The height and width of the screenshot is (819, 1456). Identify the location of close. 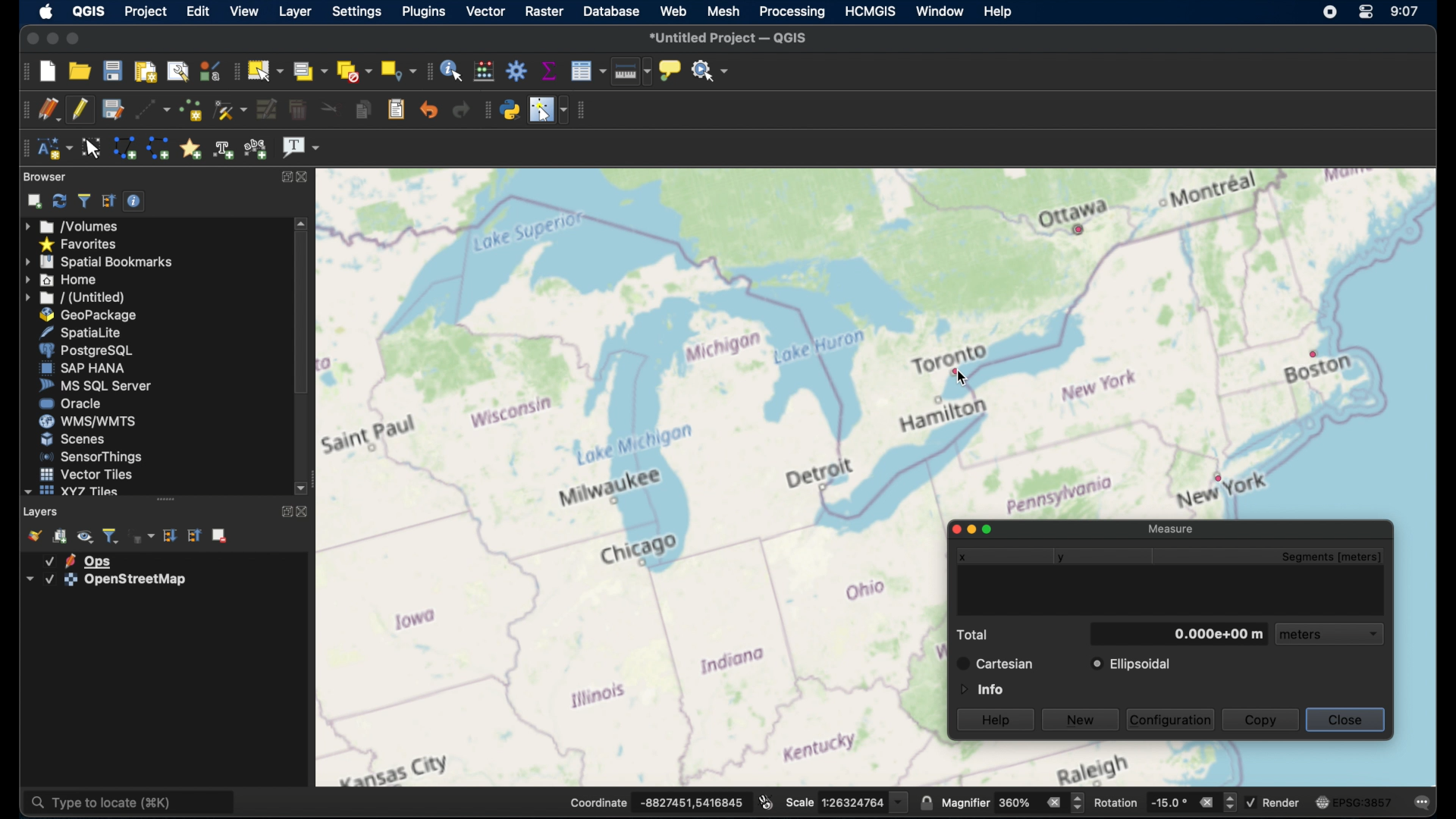
(307, 176).